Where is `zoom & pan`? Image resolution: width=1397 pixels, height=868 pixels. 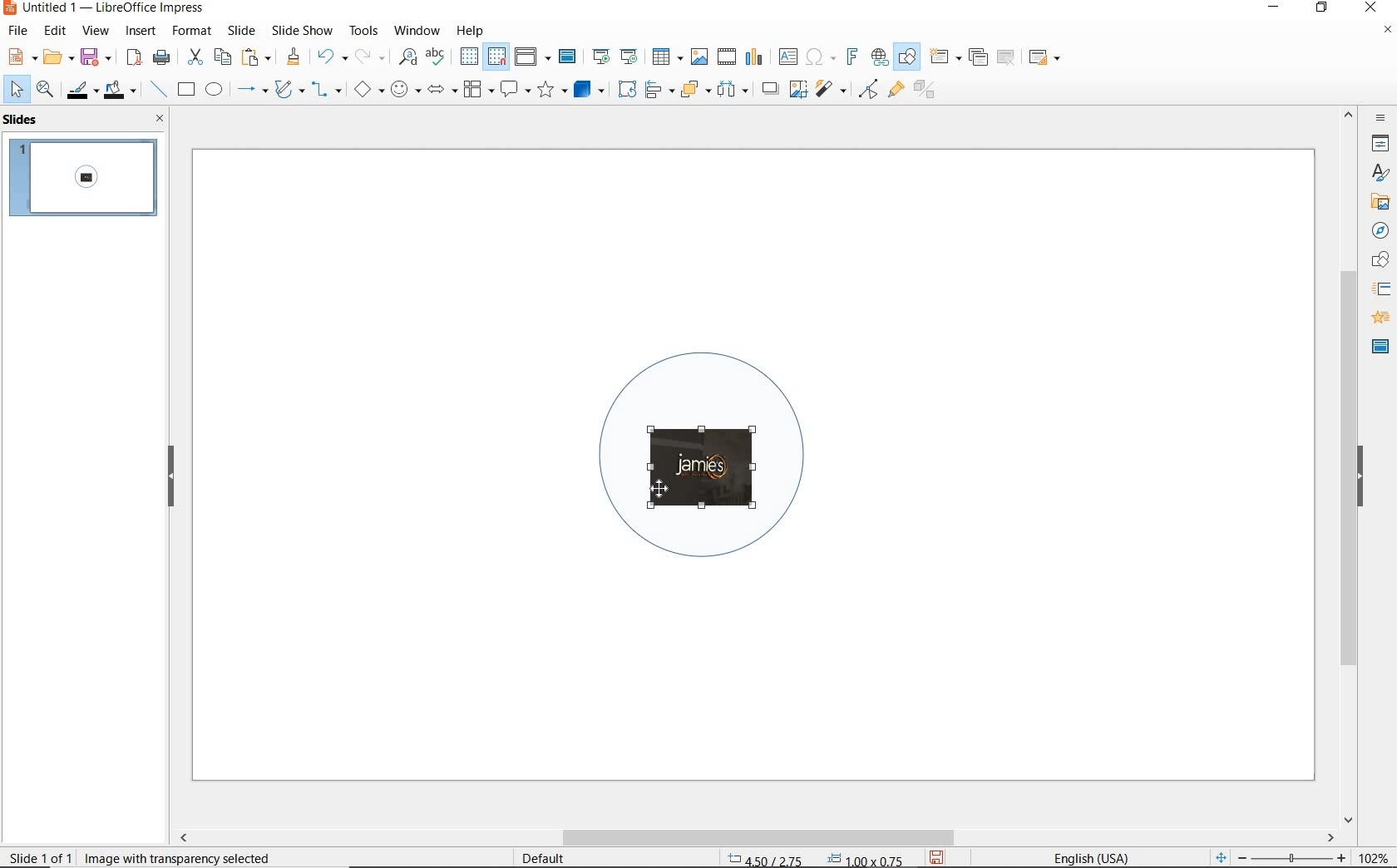
zoom & pan is located at coordinates (47, 91).